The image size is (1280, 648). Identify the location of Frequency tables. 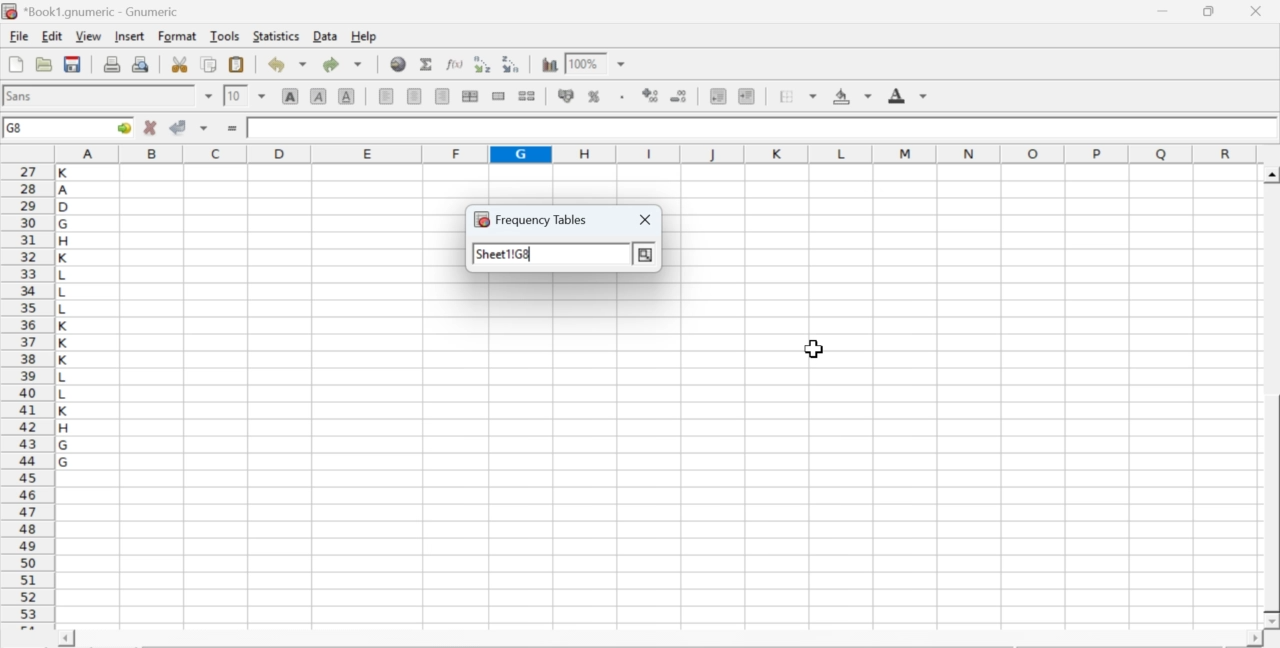
(539, 219).